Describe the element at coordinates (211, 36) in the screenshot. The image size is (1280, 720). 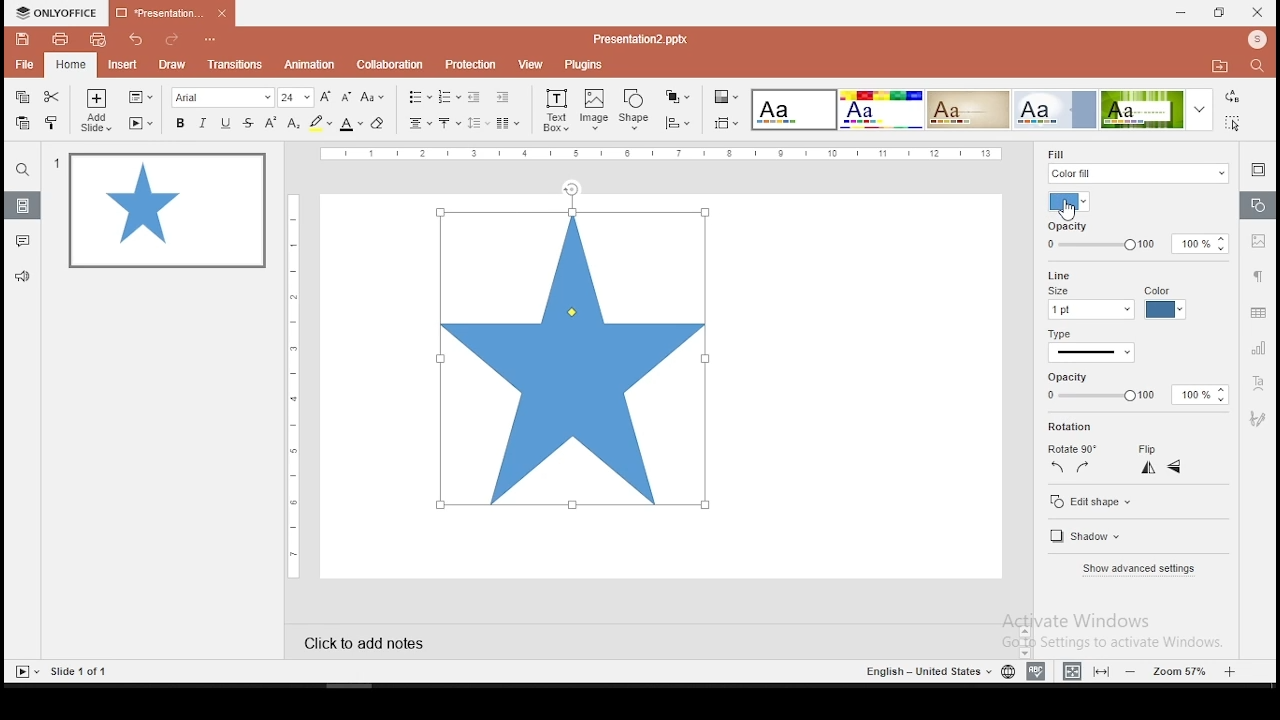
I see `customize quick access toolbar` at that location.